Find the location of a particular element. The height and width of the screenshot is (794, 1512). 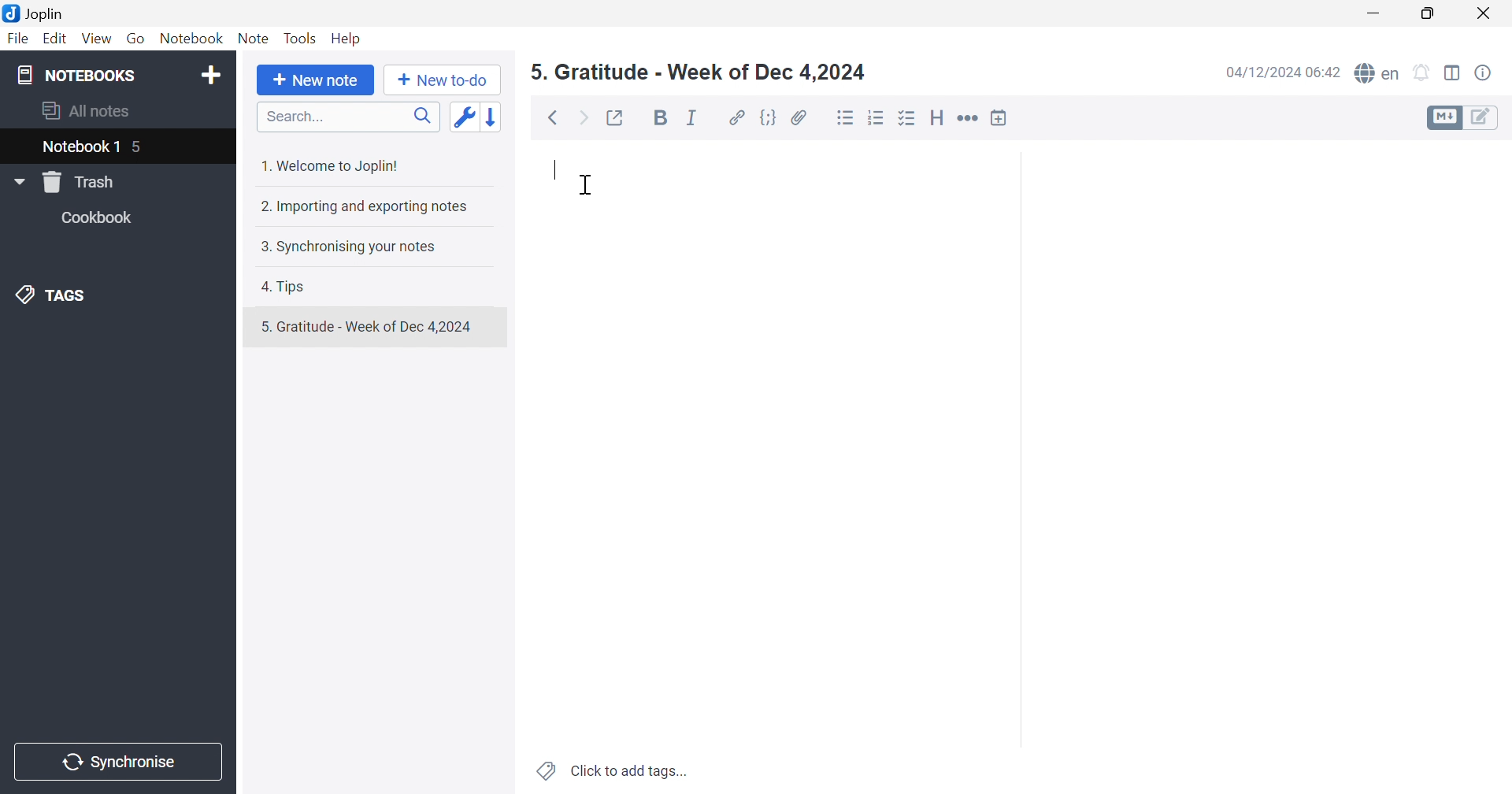

Reverse sort order is located at coordinates (495, 117).